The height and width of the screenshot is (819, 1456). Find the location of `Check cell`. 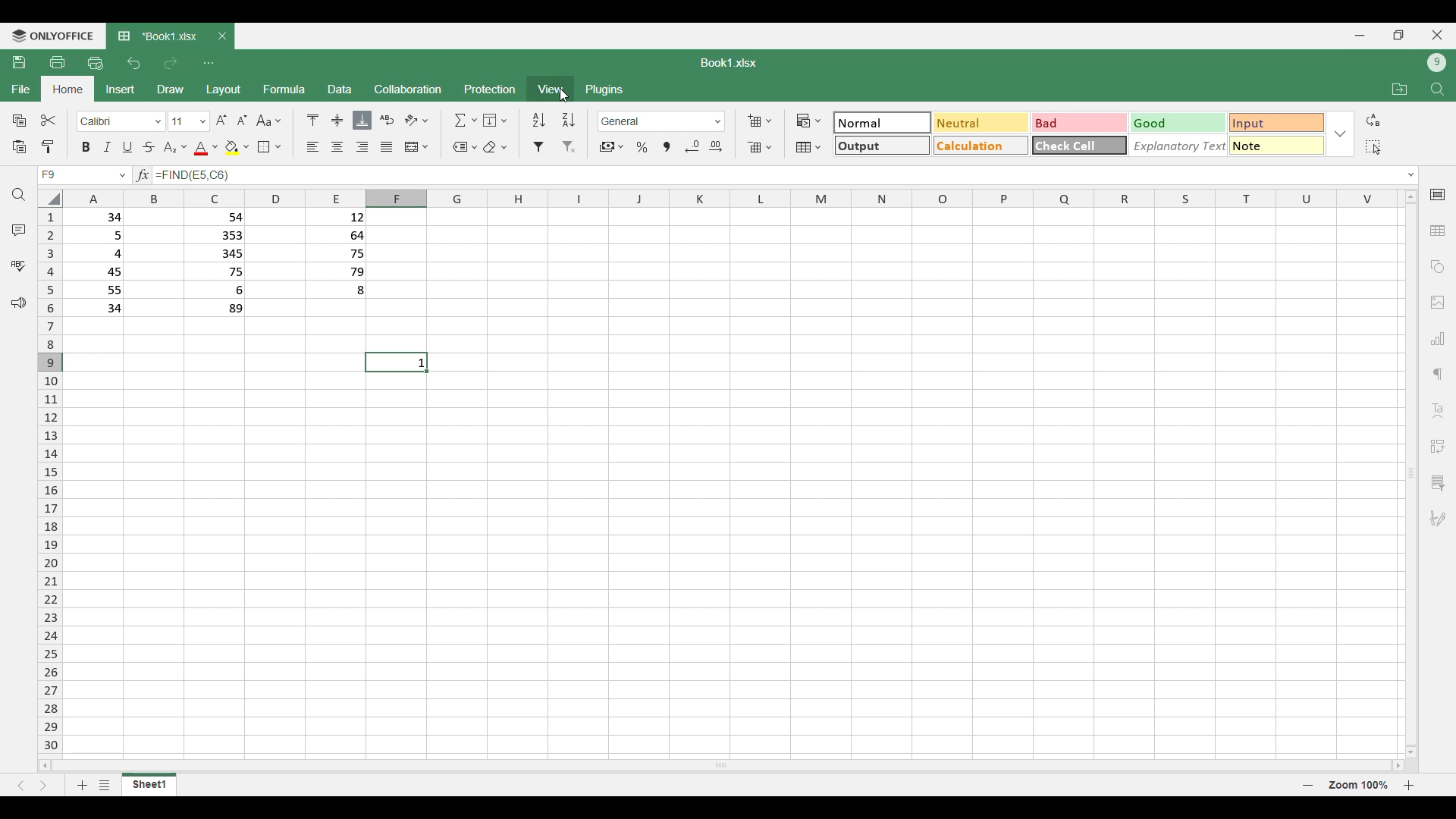

Check cell is located at coordinates (1080, 146).